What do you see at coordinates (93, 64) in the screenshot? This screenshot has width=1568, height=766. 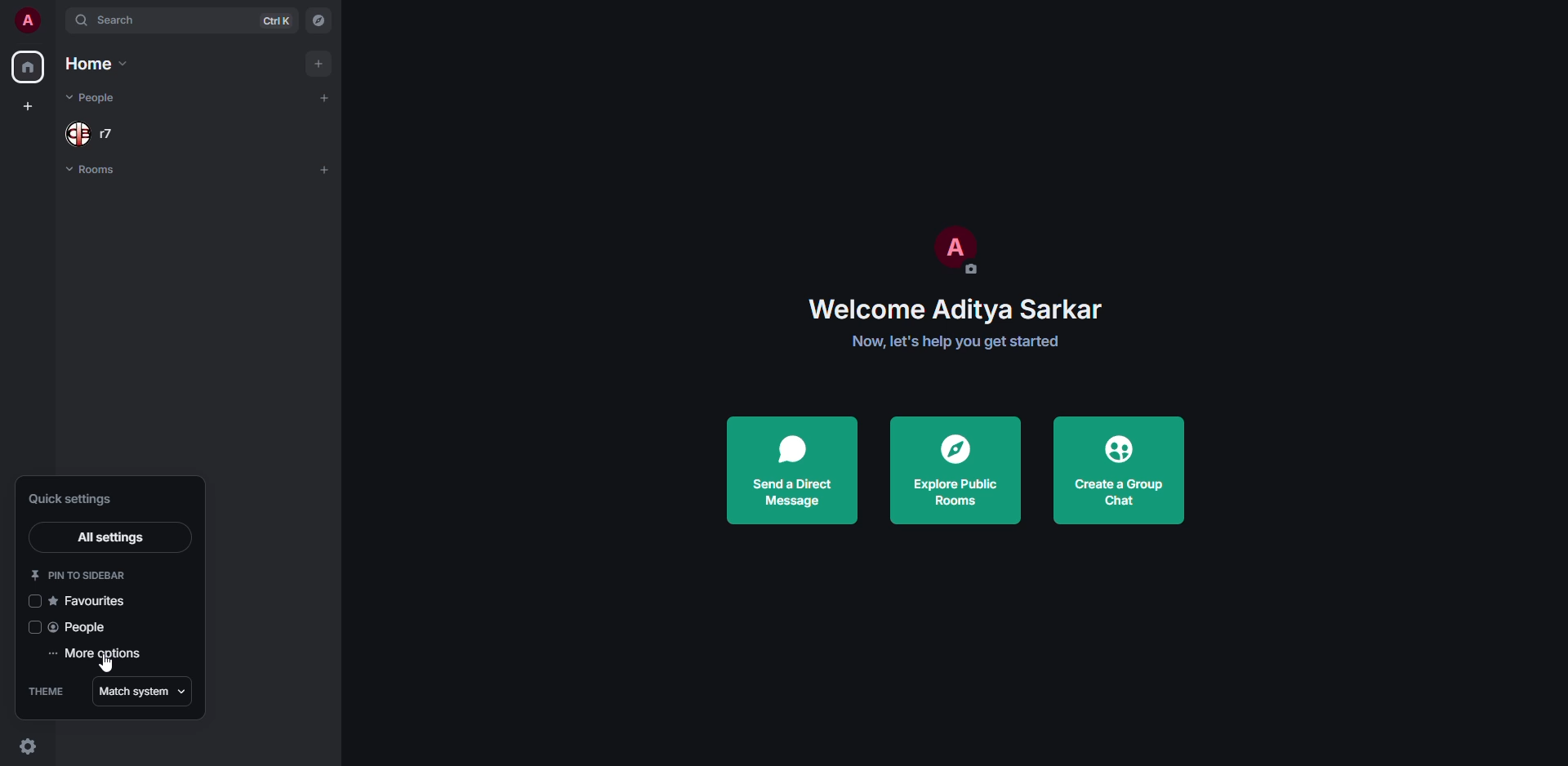 I see `home` at bounding box center [93, 64].